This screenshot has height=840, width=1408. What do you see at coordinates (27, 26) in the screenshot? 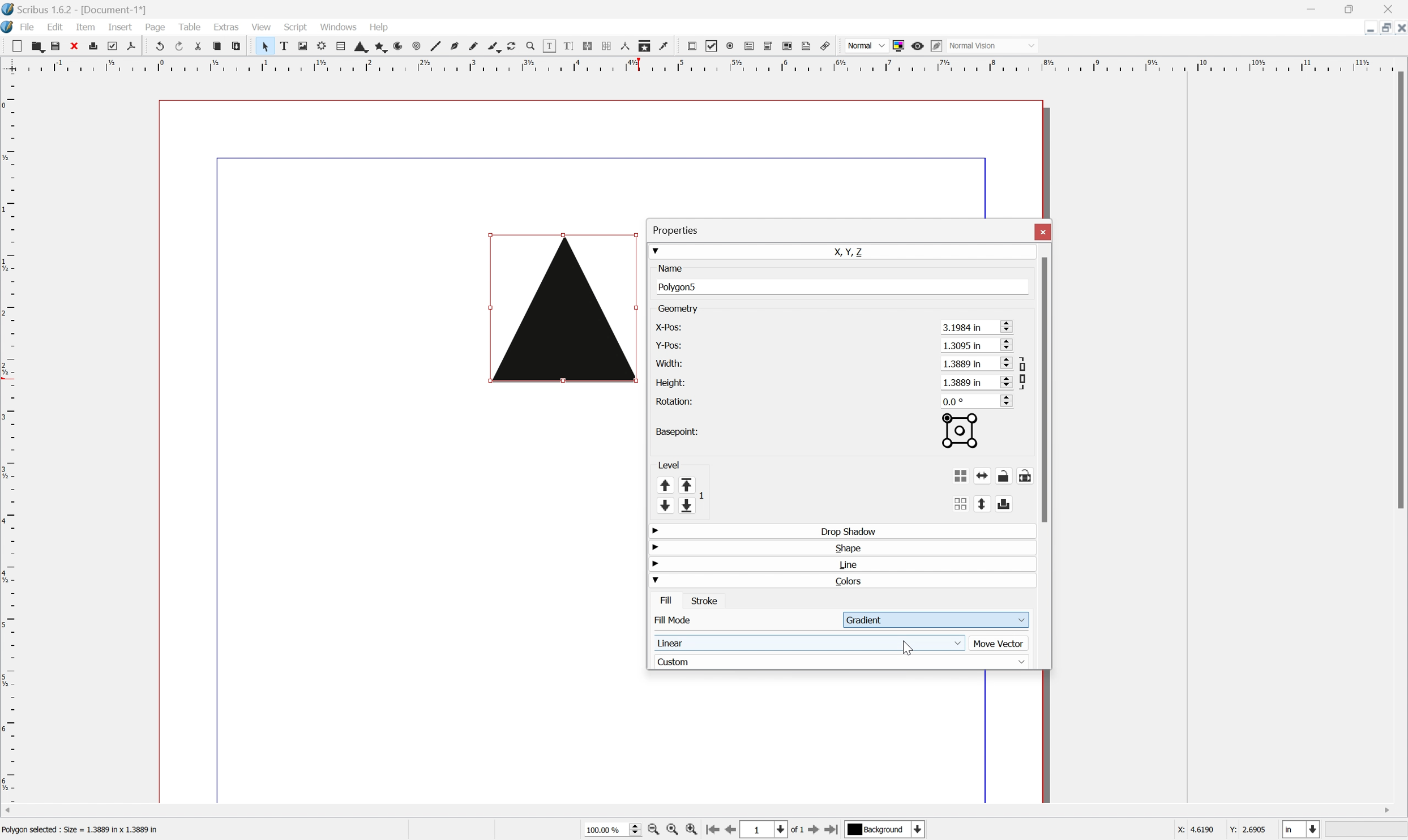
I see `File` at bounding box center [27, 26].